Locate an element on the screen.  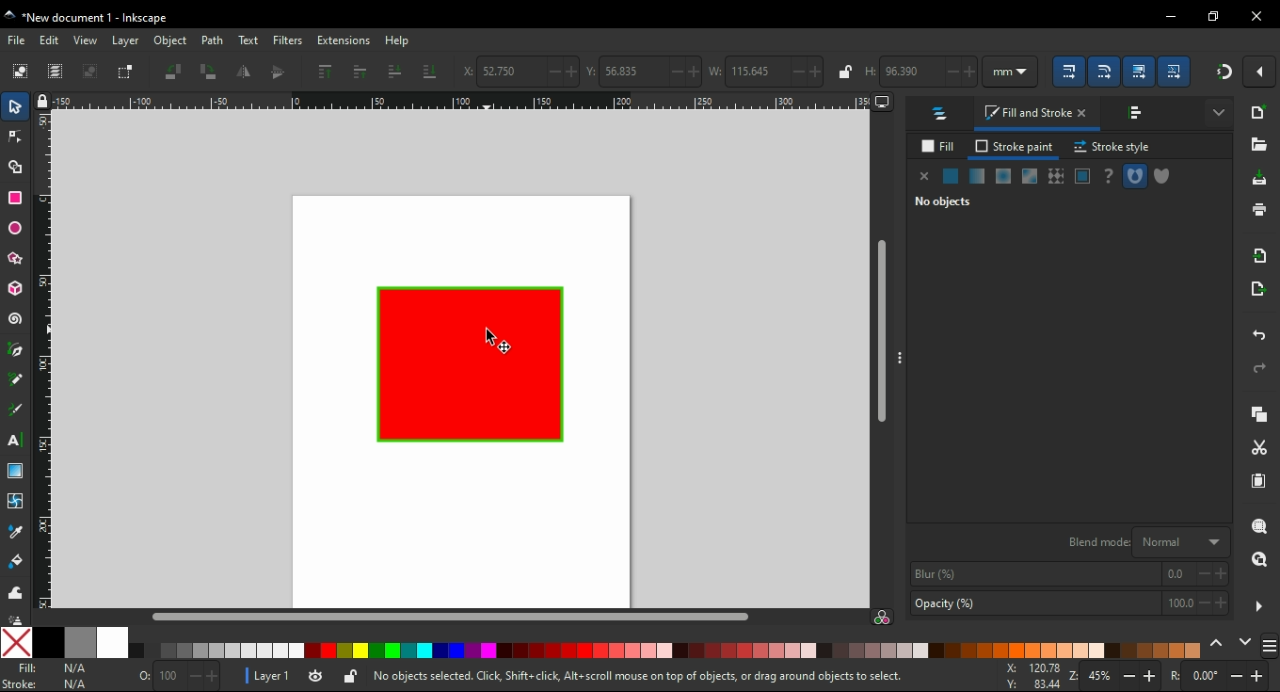
layer is located at coordinates (126, 40).